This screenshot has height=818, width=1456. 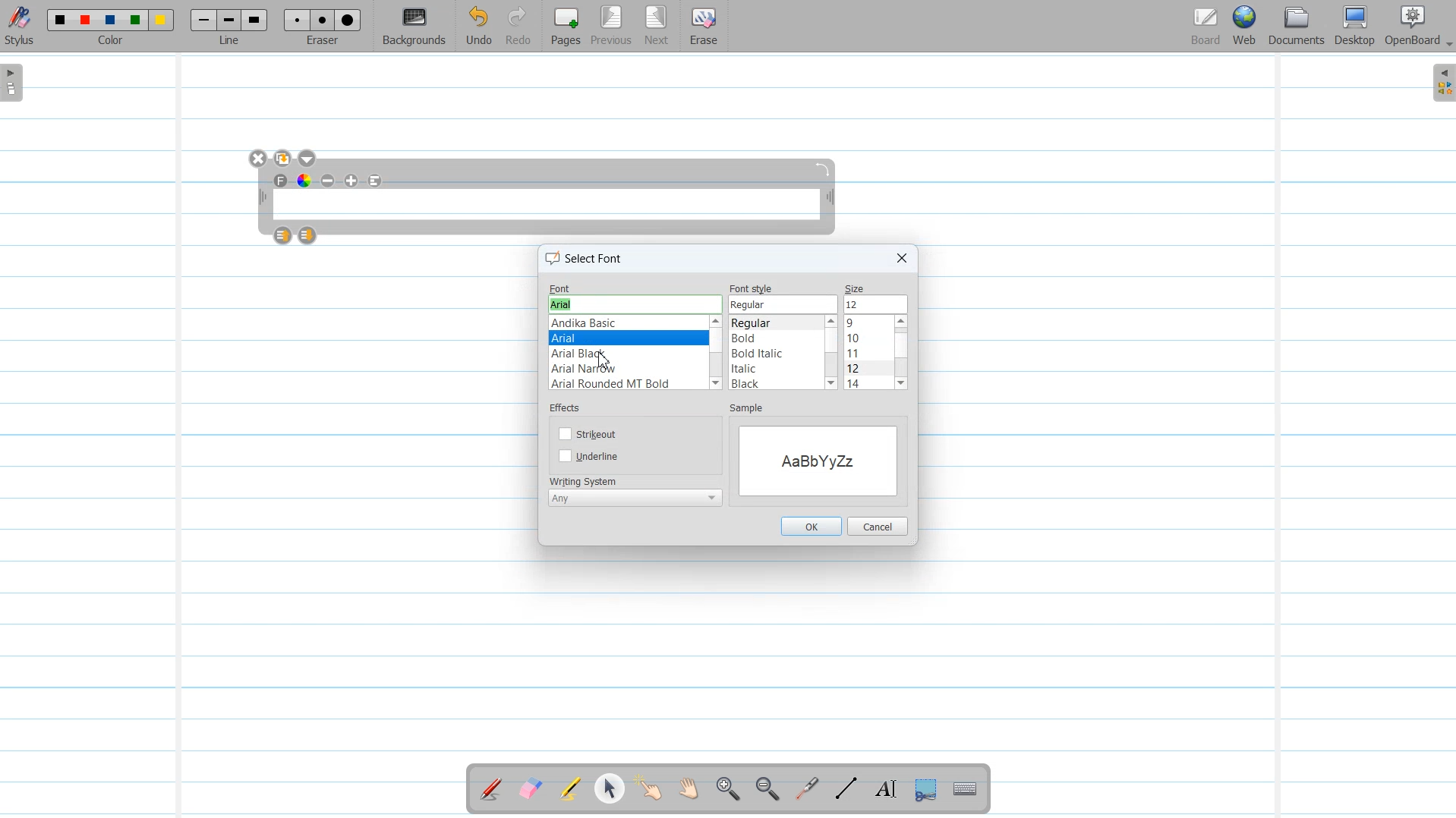 I want to click on Scroll Page, so click(x=689, y=790).